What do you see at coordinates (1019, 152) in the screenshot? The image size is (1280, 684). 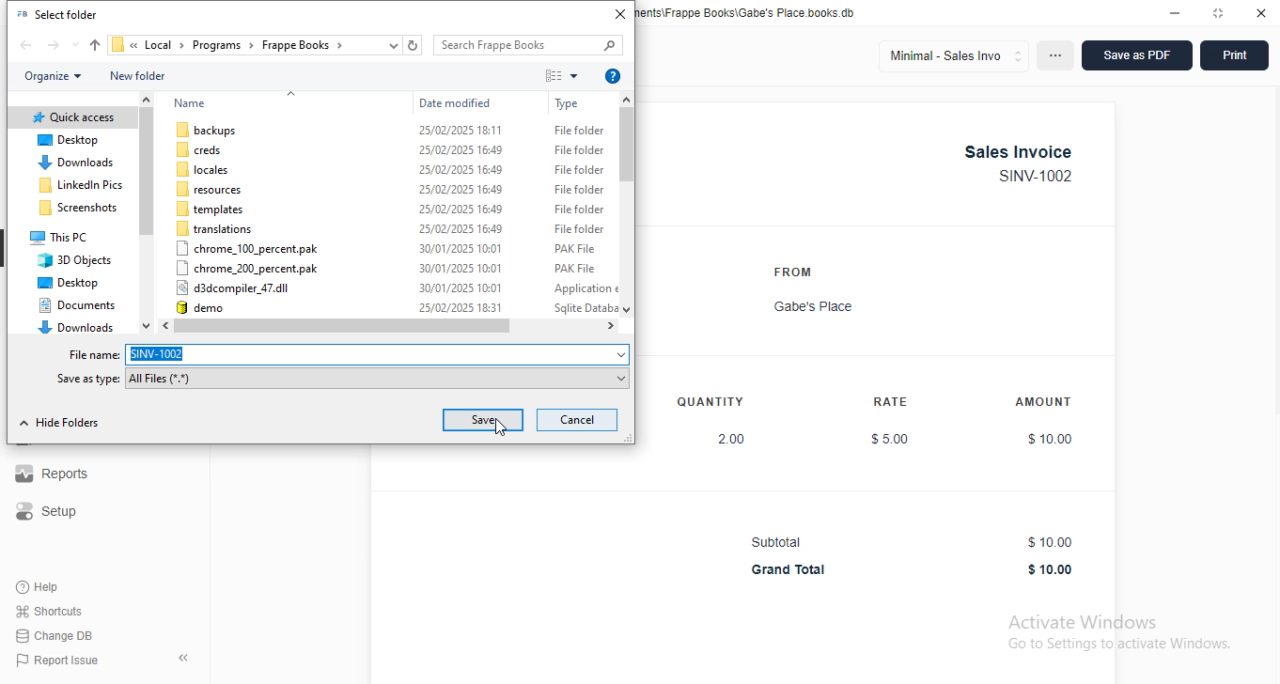 I see `Sales Invoice` at bounding box center [1019, 152].